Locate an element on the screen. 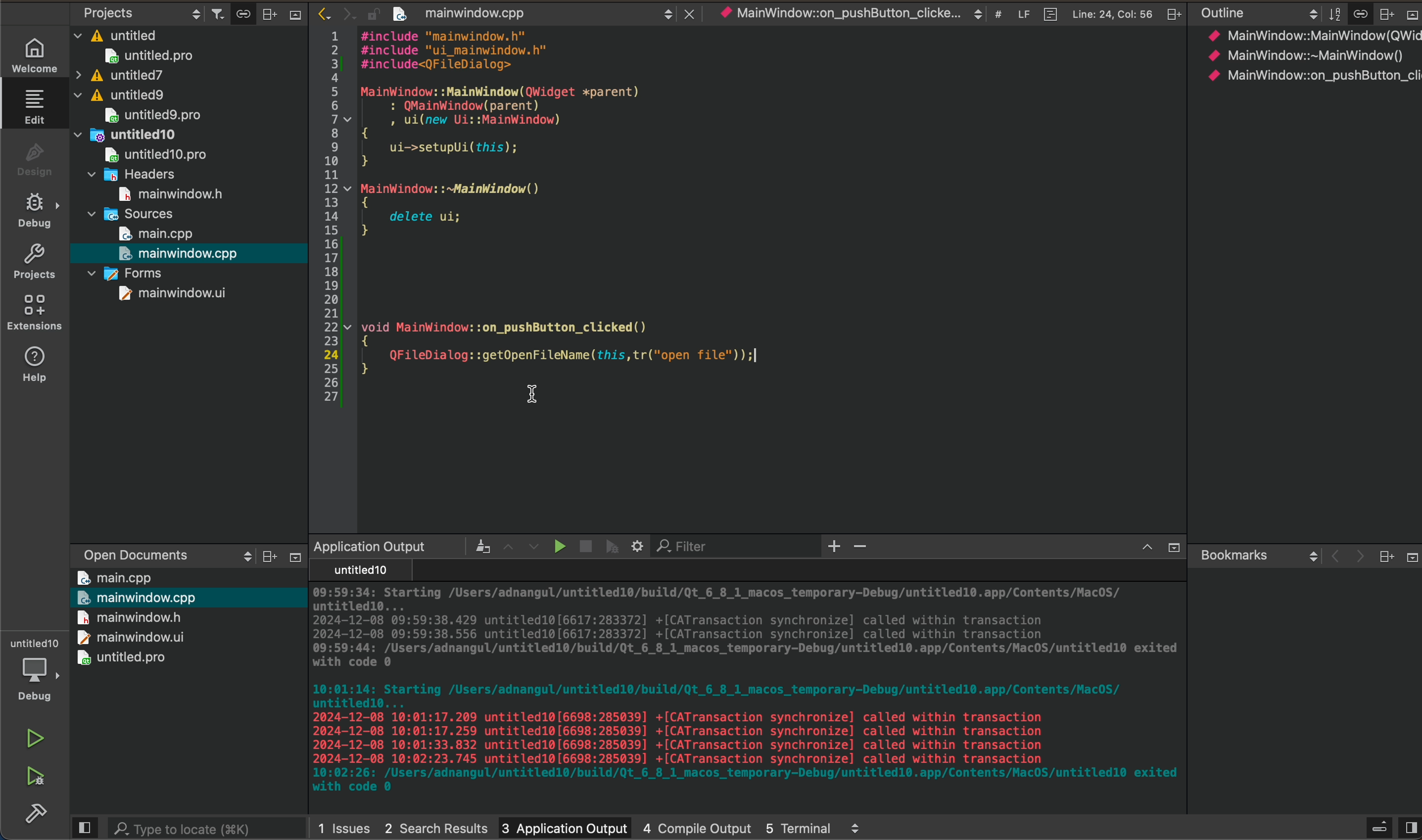 This screenshot has width=1422, height=840. MainWindow::on_pushButton cl is located at coordinates (1312, 75).